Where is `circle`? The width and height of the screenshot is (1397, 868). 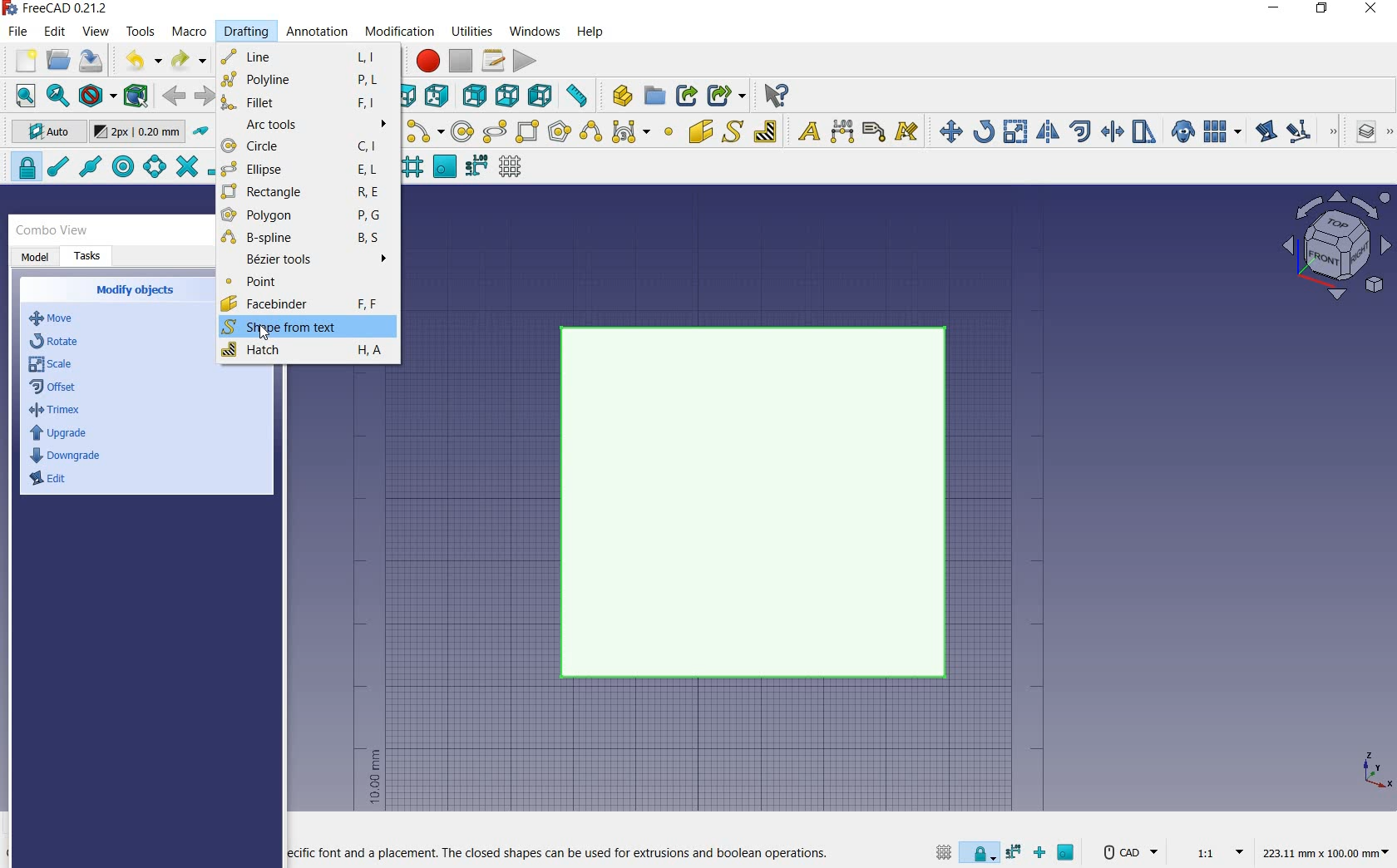
circle is located at coordinates (463, 132).